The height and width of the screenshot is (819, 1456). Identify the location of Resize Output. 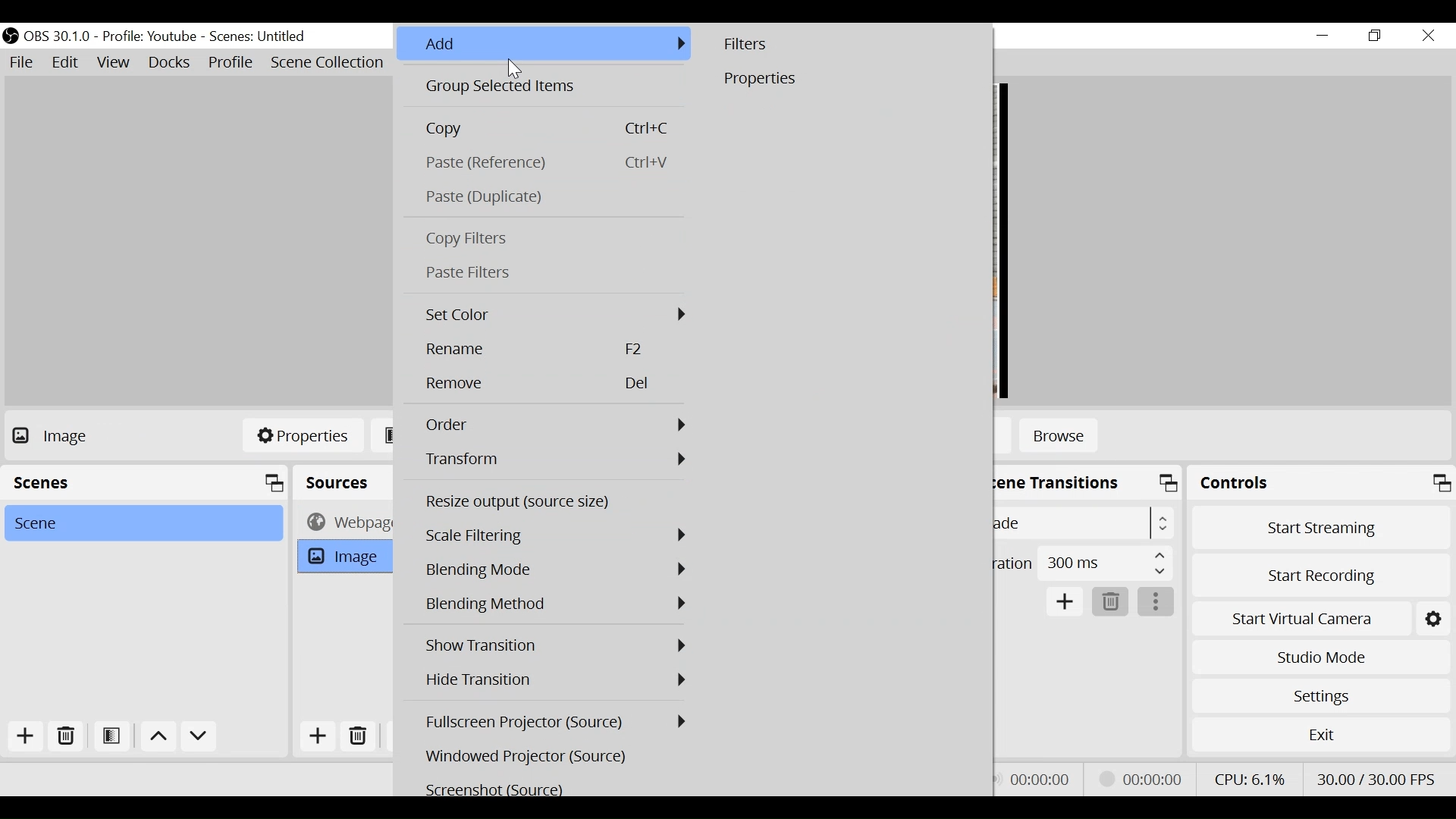
(554, 503).